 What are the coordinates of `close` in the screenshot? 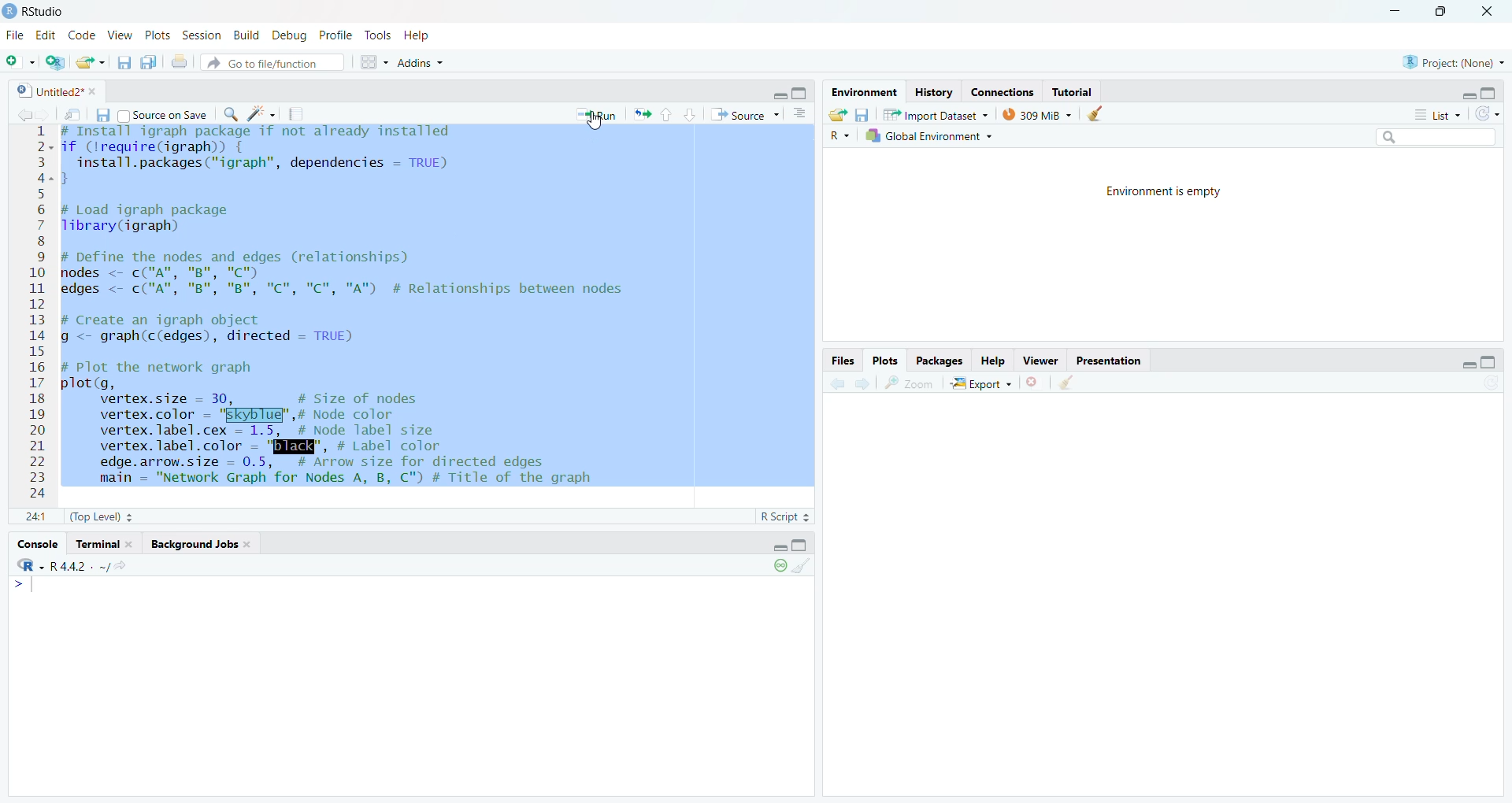 It's located at (1029, 386).